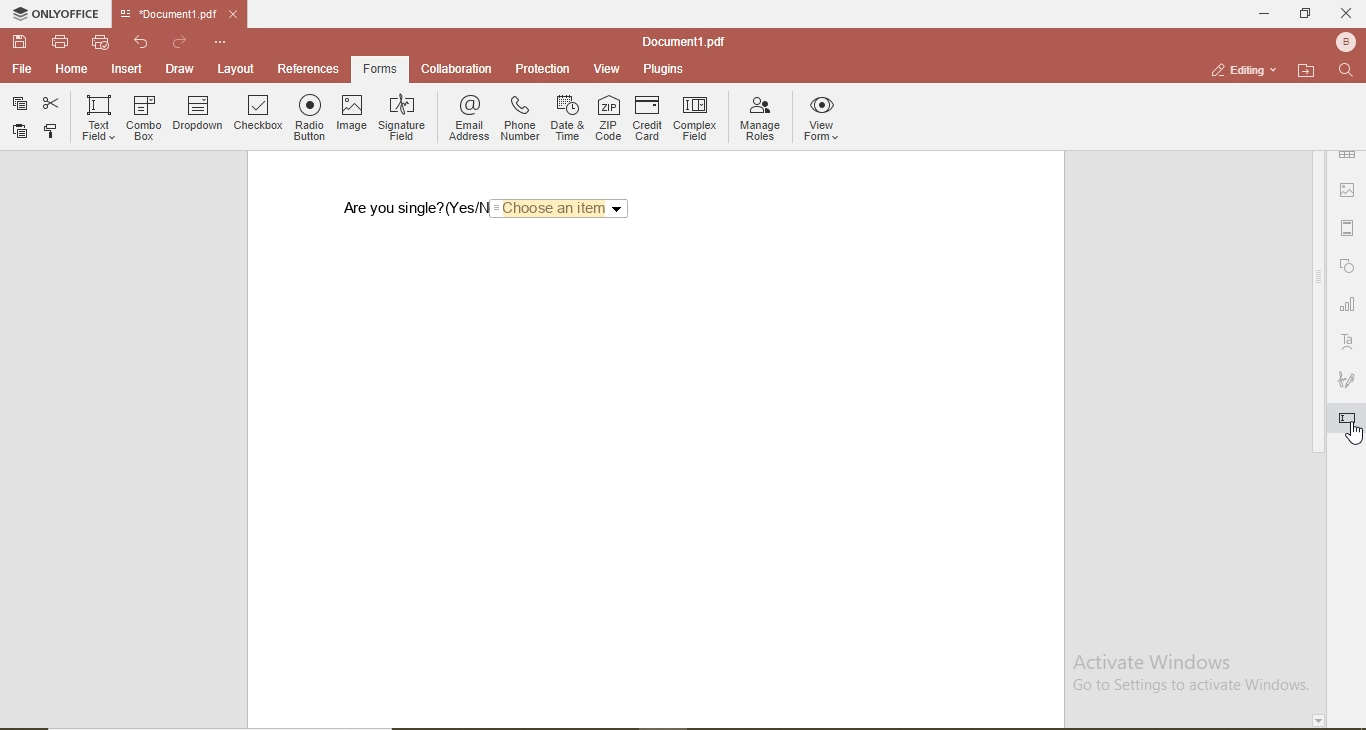  I want to click on ZIP code, so click(608, 118).